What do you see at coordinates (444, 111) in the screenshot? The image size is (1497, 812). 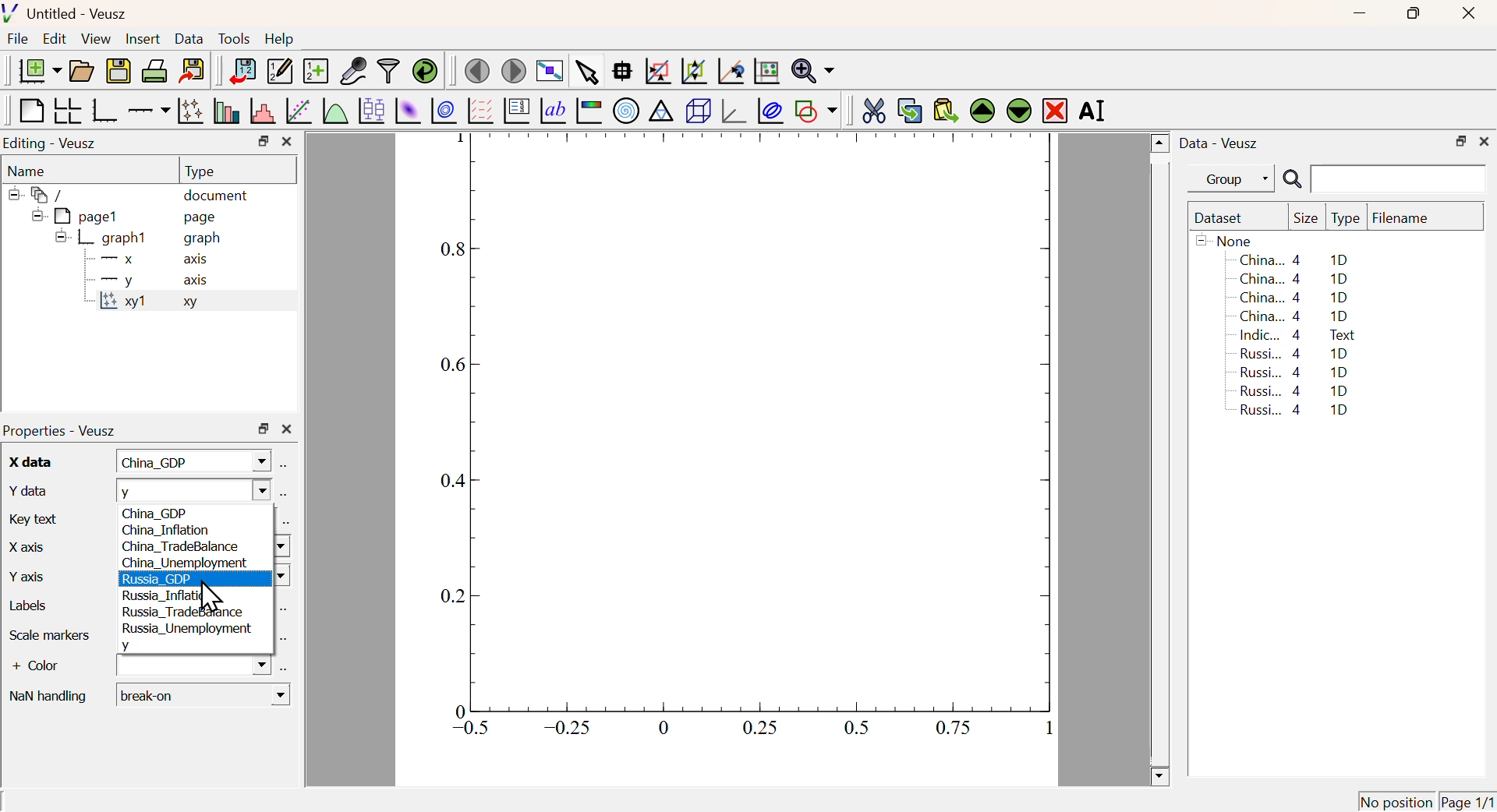 I see `Plot 2D set as contours` at bounding box center [444, 111].